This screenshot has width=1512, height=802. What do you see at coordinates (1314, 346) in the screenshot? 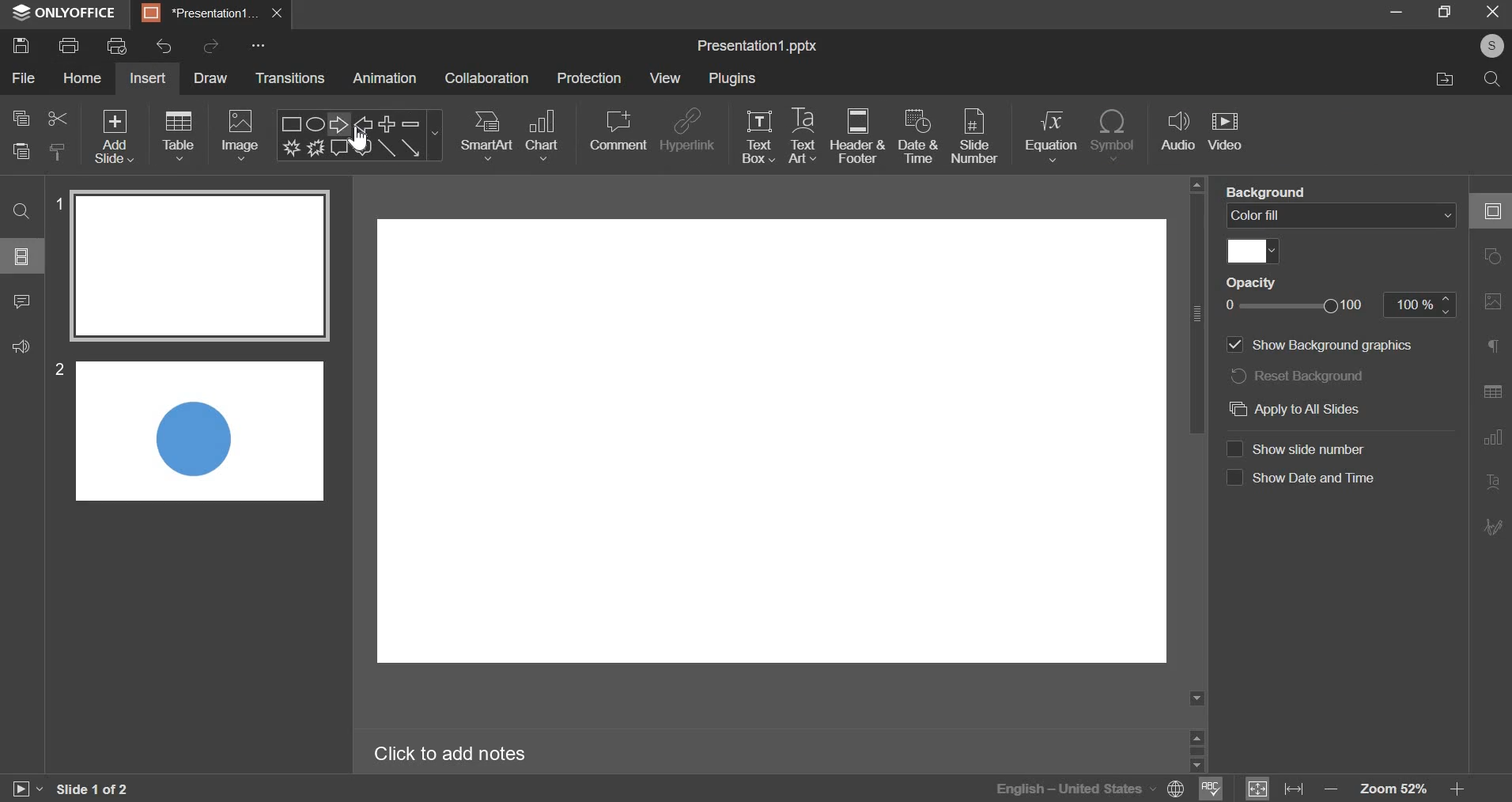
I see `show background graphics` at bounding box center [1314, 346].